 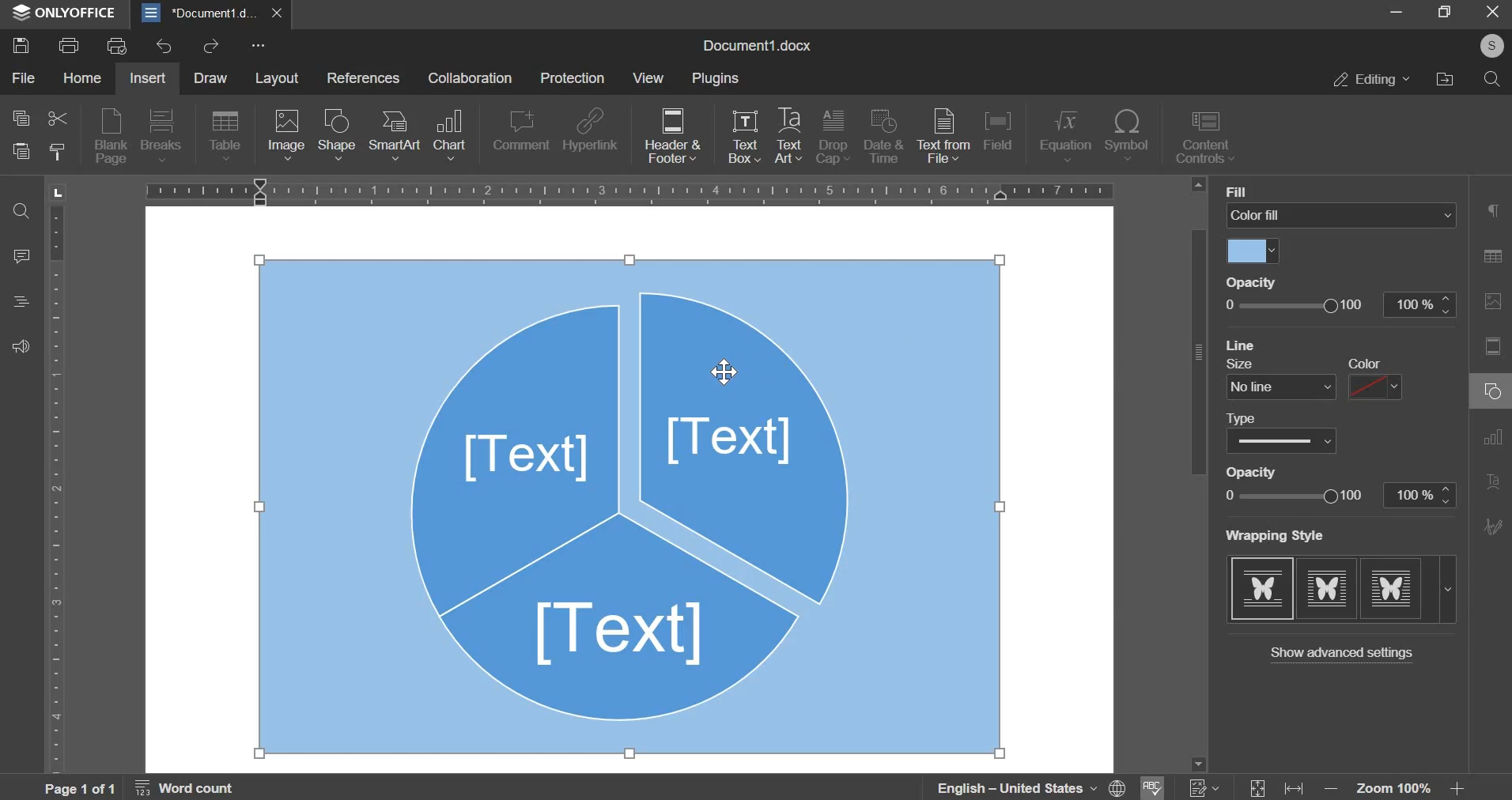 What do you see at coordinates (284, 79) in the screenshot?
I see `layout` at bounding box center [284, 79].